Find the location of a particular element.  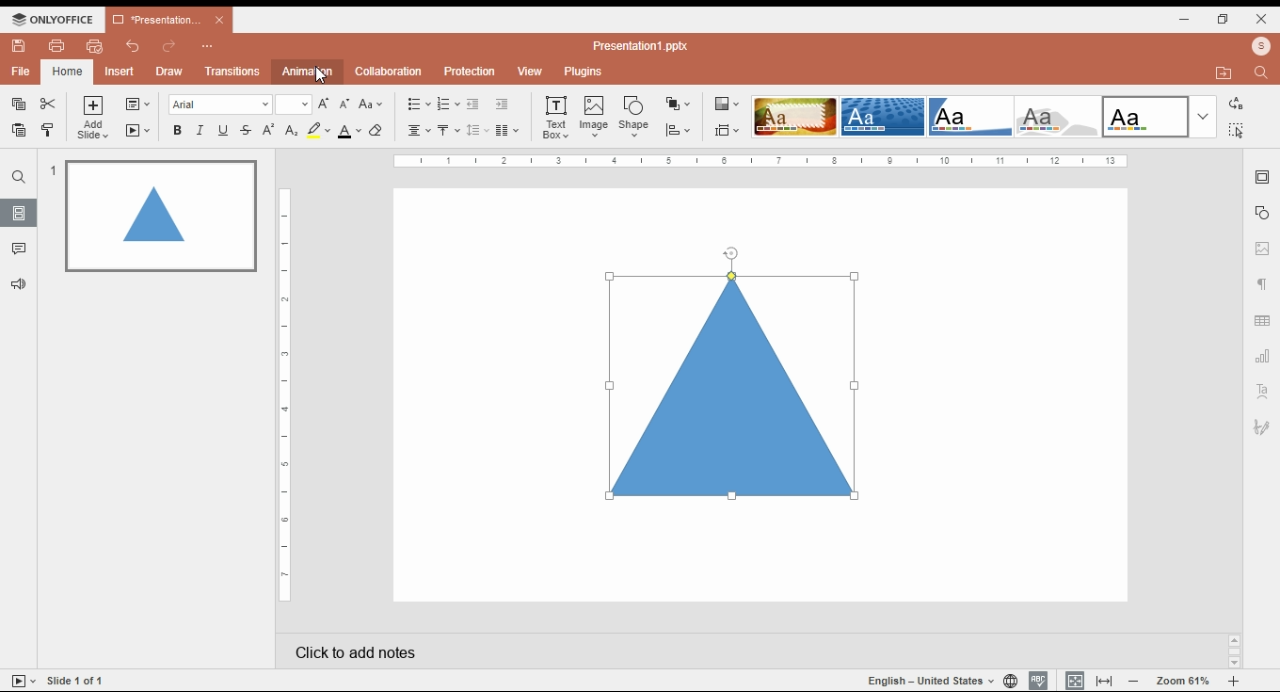

select slide size is located at coordinates (726, 130).